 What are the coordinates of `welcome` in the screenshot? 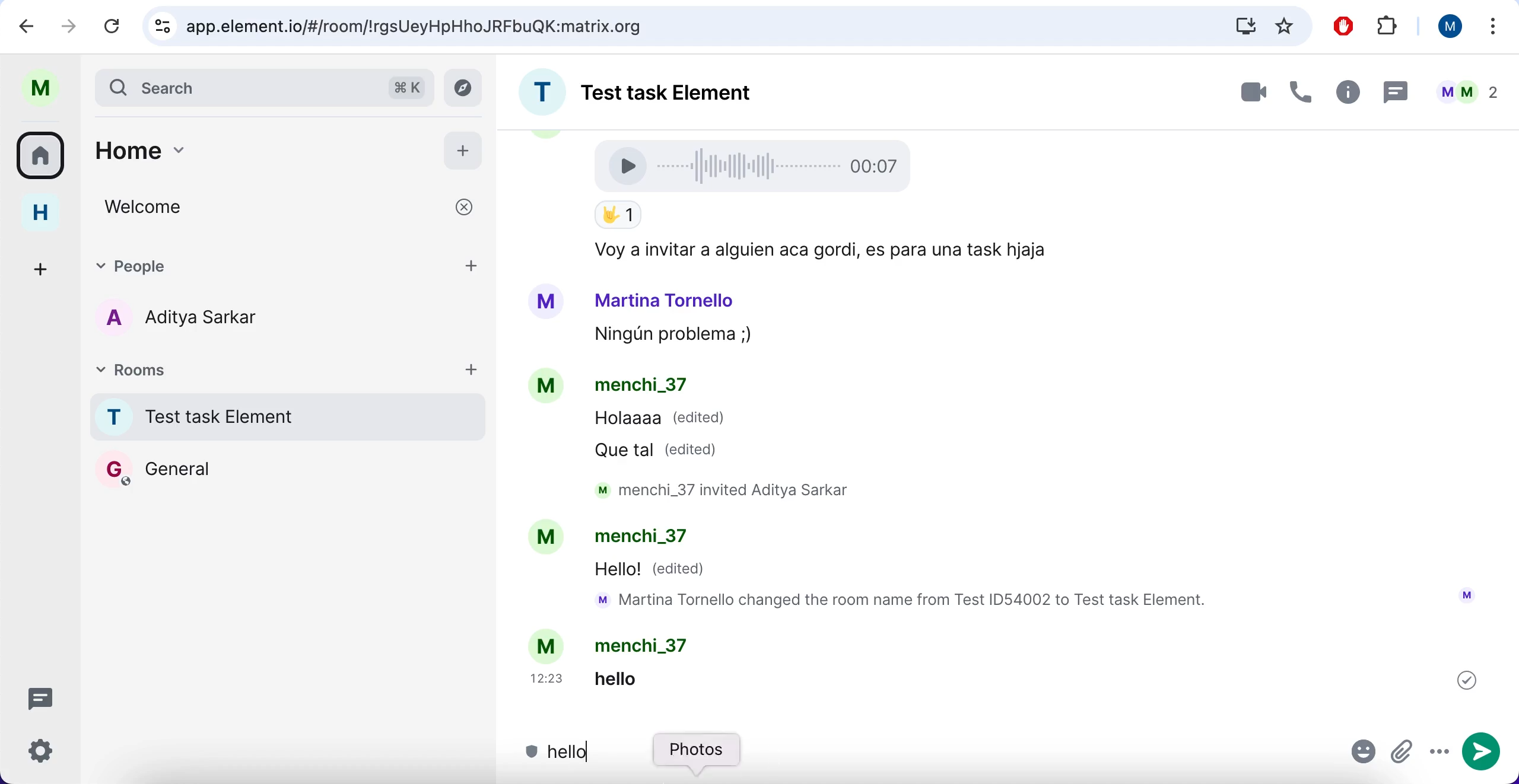 It's located at (291, 207).